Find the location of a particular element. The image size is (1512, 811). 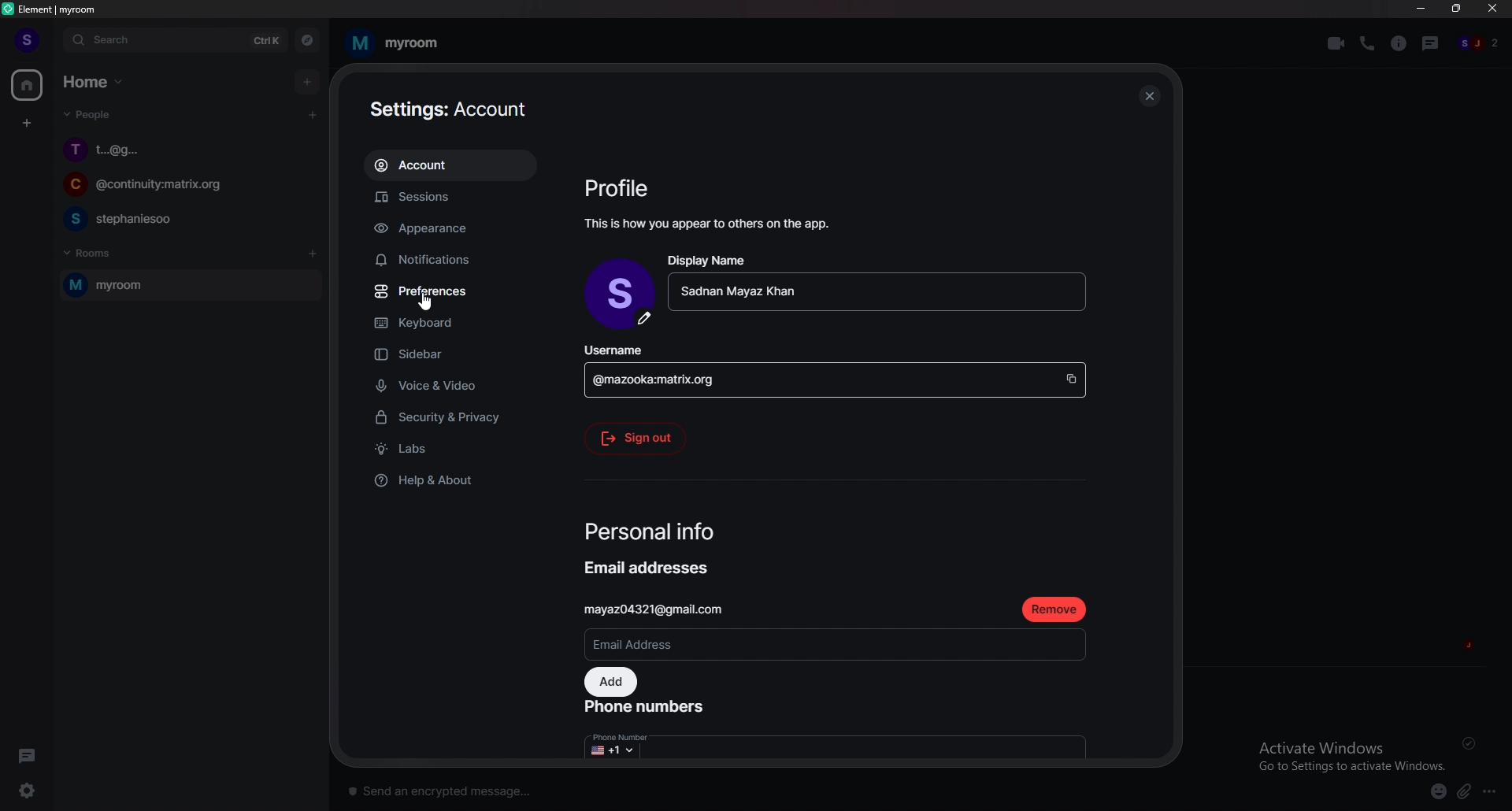

sign out is located at coordinates (636, 438).